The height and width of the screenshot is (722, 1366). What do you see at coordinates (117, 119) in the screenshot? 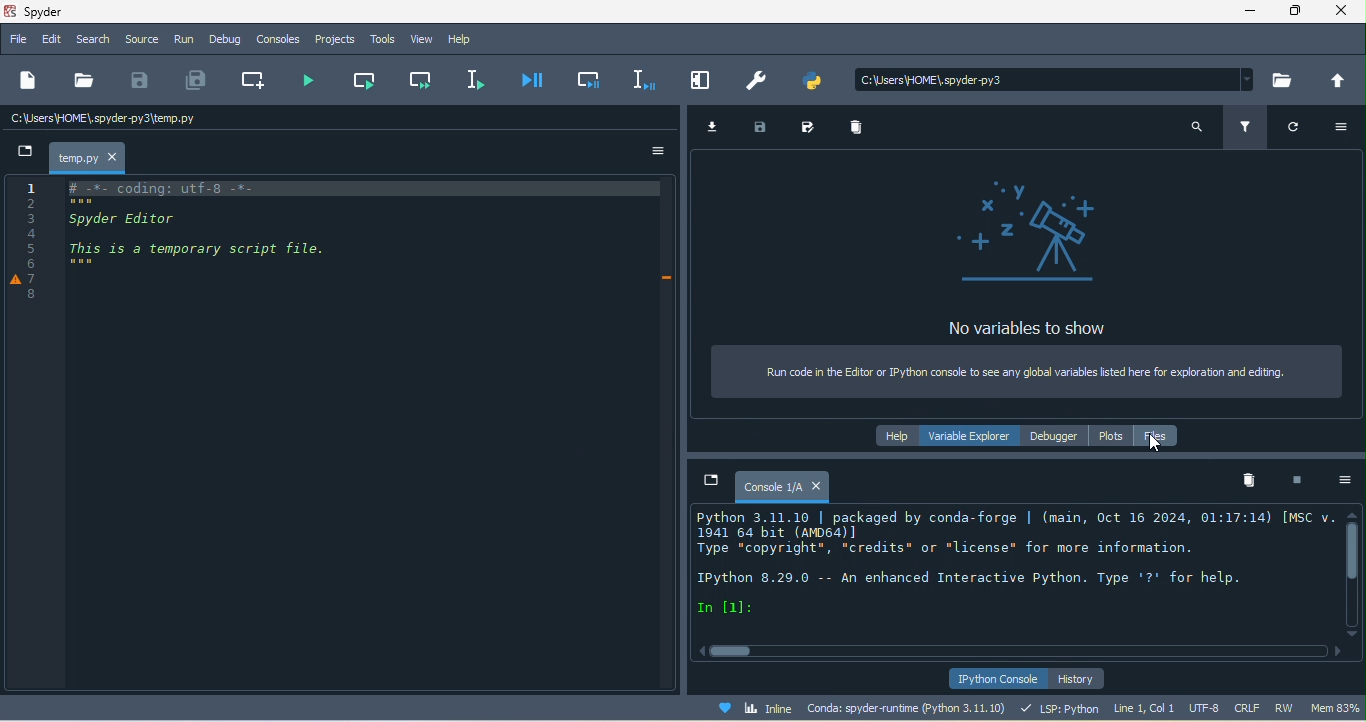
I see `c\users\home\spyder/temp.py` at bounding box center [117, 119].